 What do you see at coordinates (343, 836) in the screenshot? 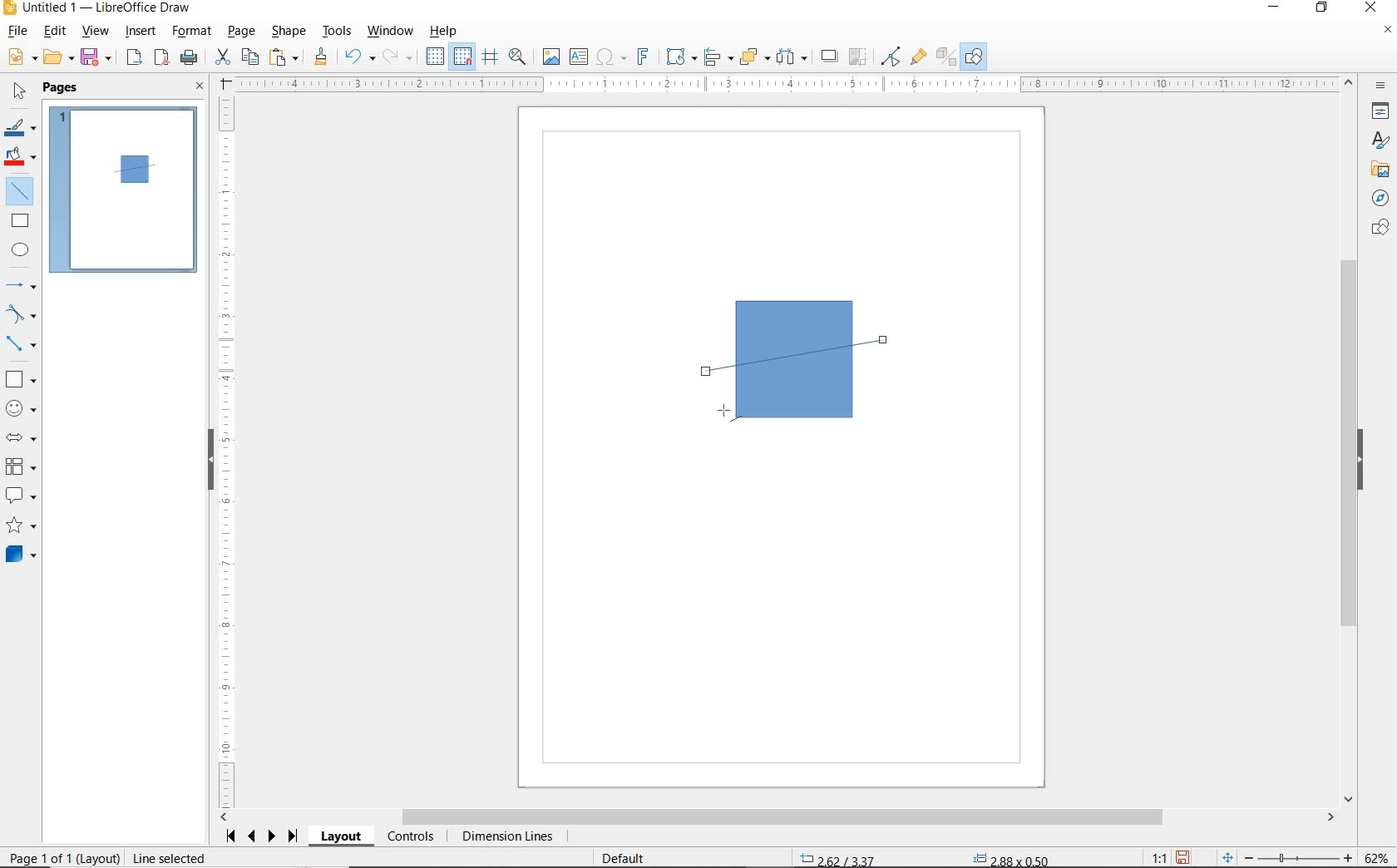
I see `LAYOUT` at bounding box center [343, 836].